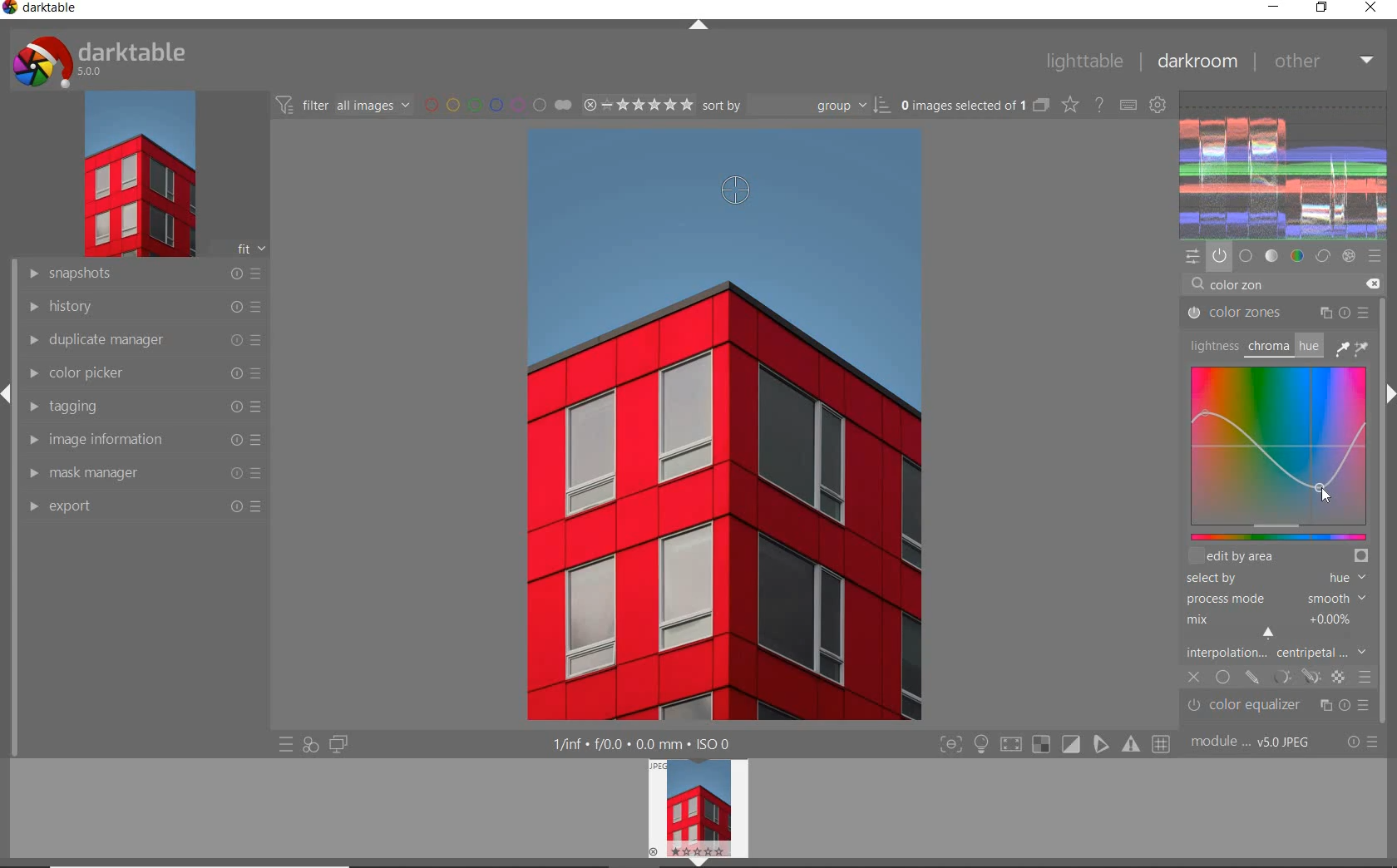 The width and height of the screenshot is (1397, 868). I want to click on expand/collapse, so click(8, 396).